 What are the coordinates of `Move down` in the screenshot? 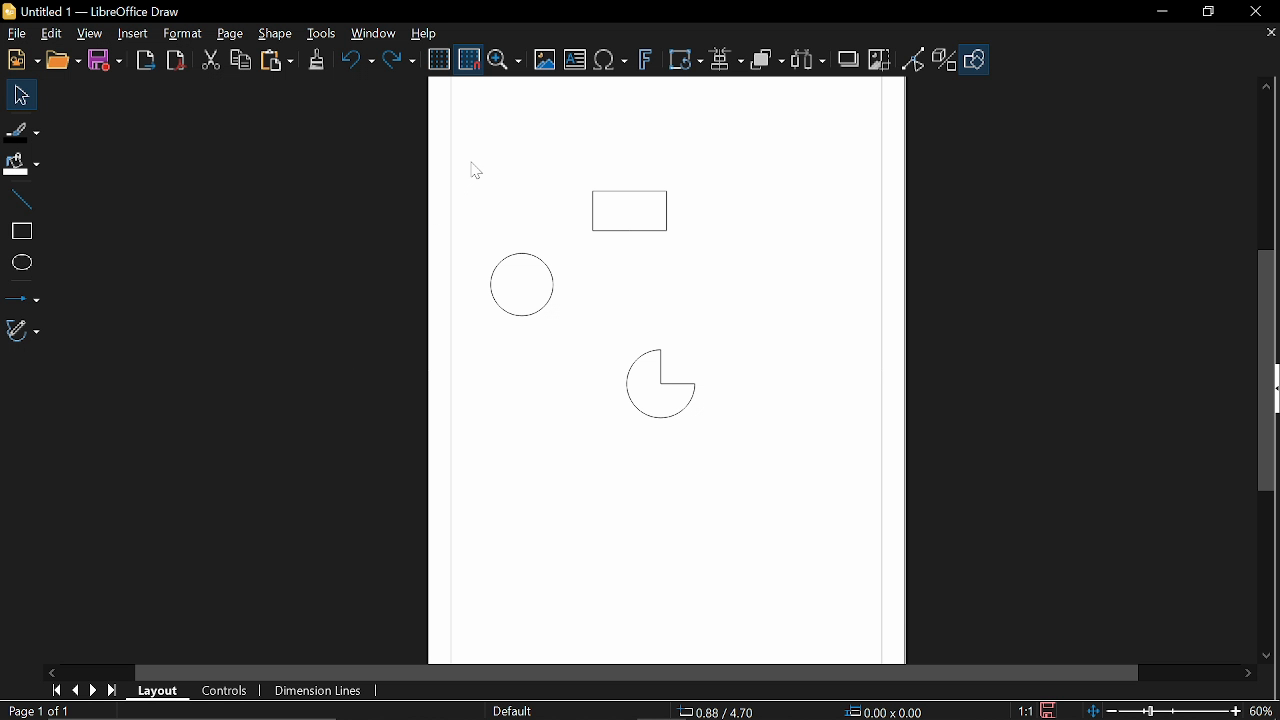 It's located at (1269, 656).